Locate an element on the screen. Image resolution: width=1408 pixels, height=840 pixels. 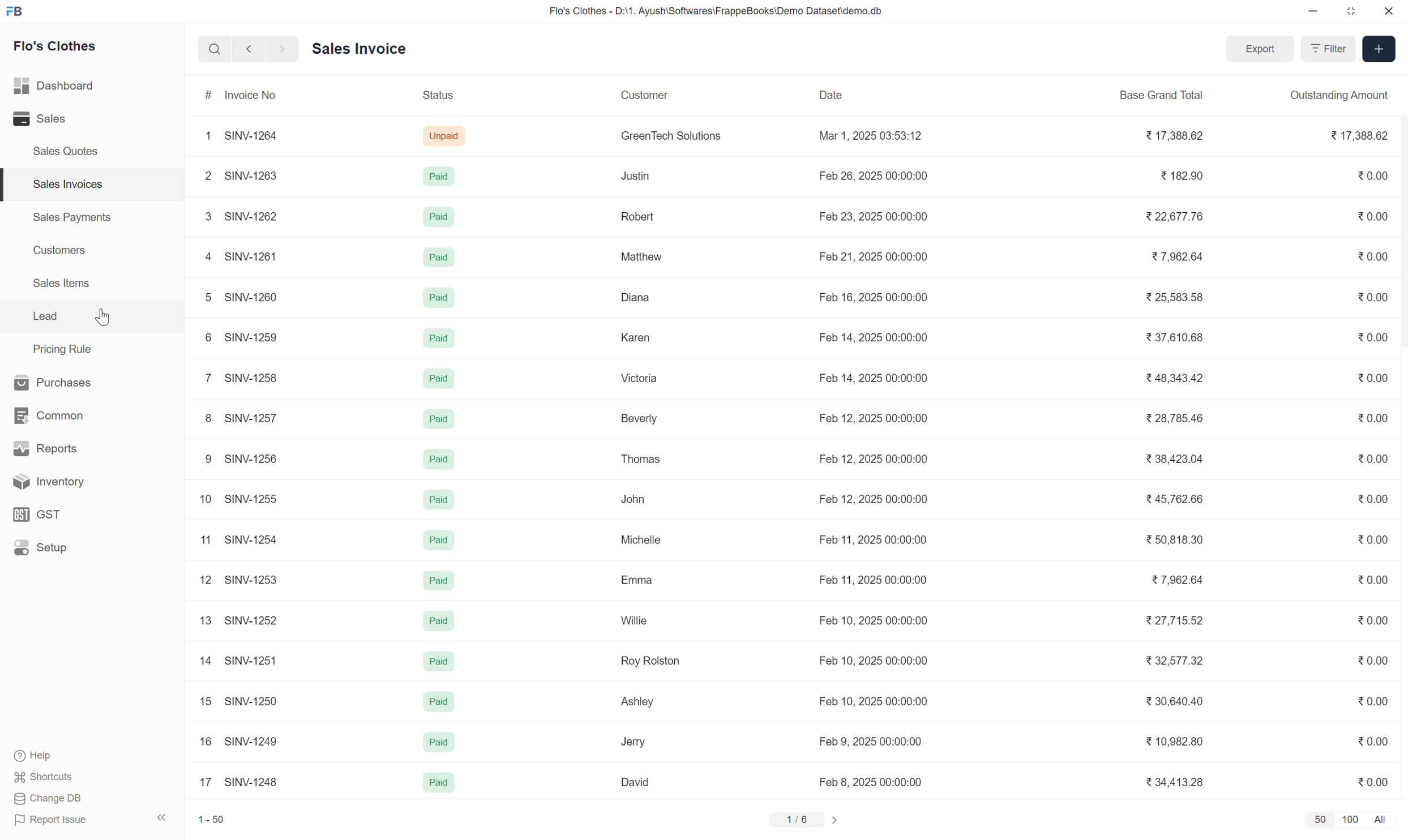
SINV-1250 is located at coordinates (254, 700).